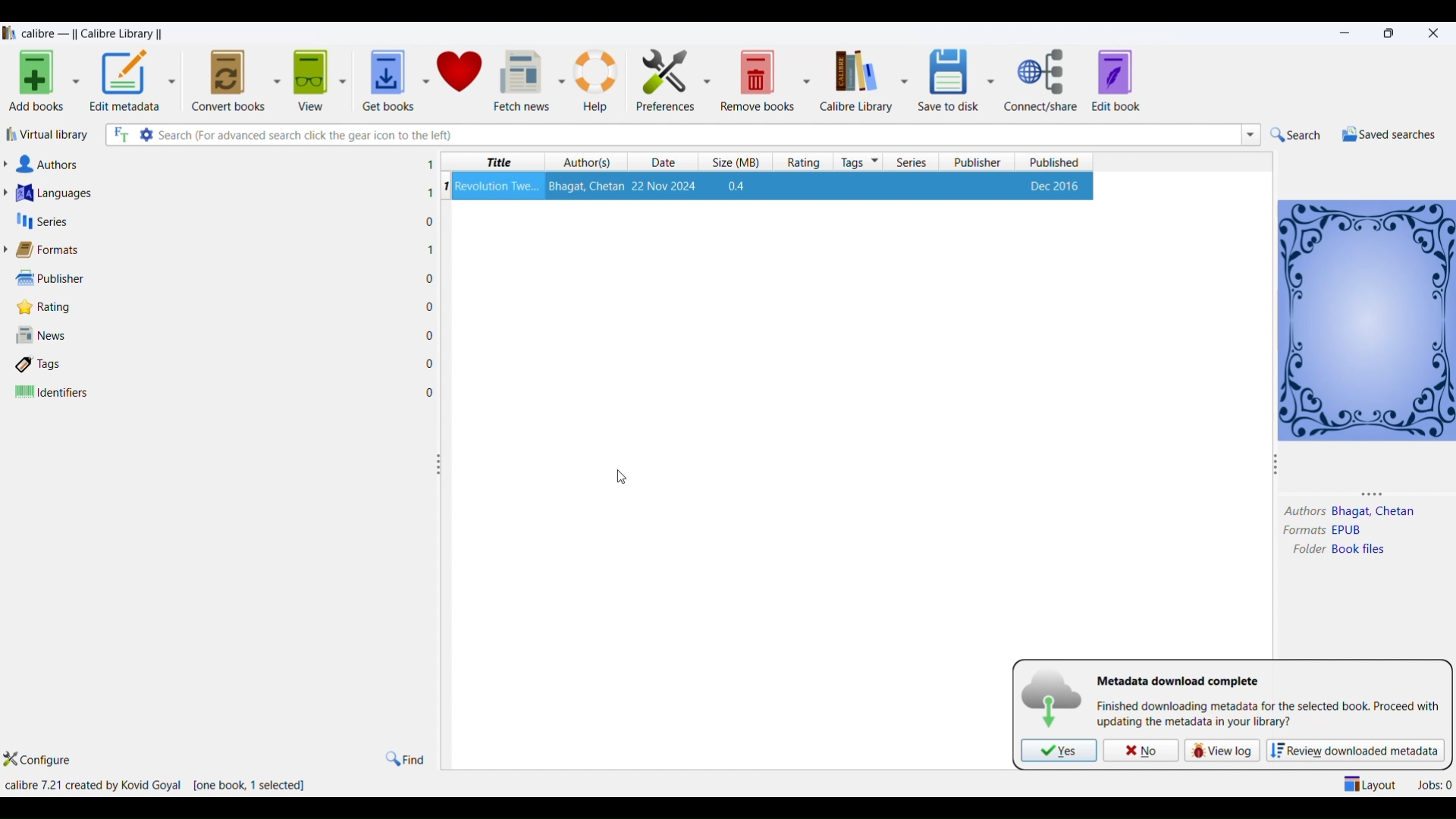 The height and width of the screenshot is (819, 1456). Describe the element at coordinates (1219, 748) in the screenshot. I see `view log` at that location.